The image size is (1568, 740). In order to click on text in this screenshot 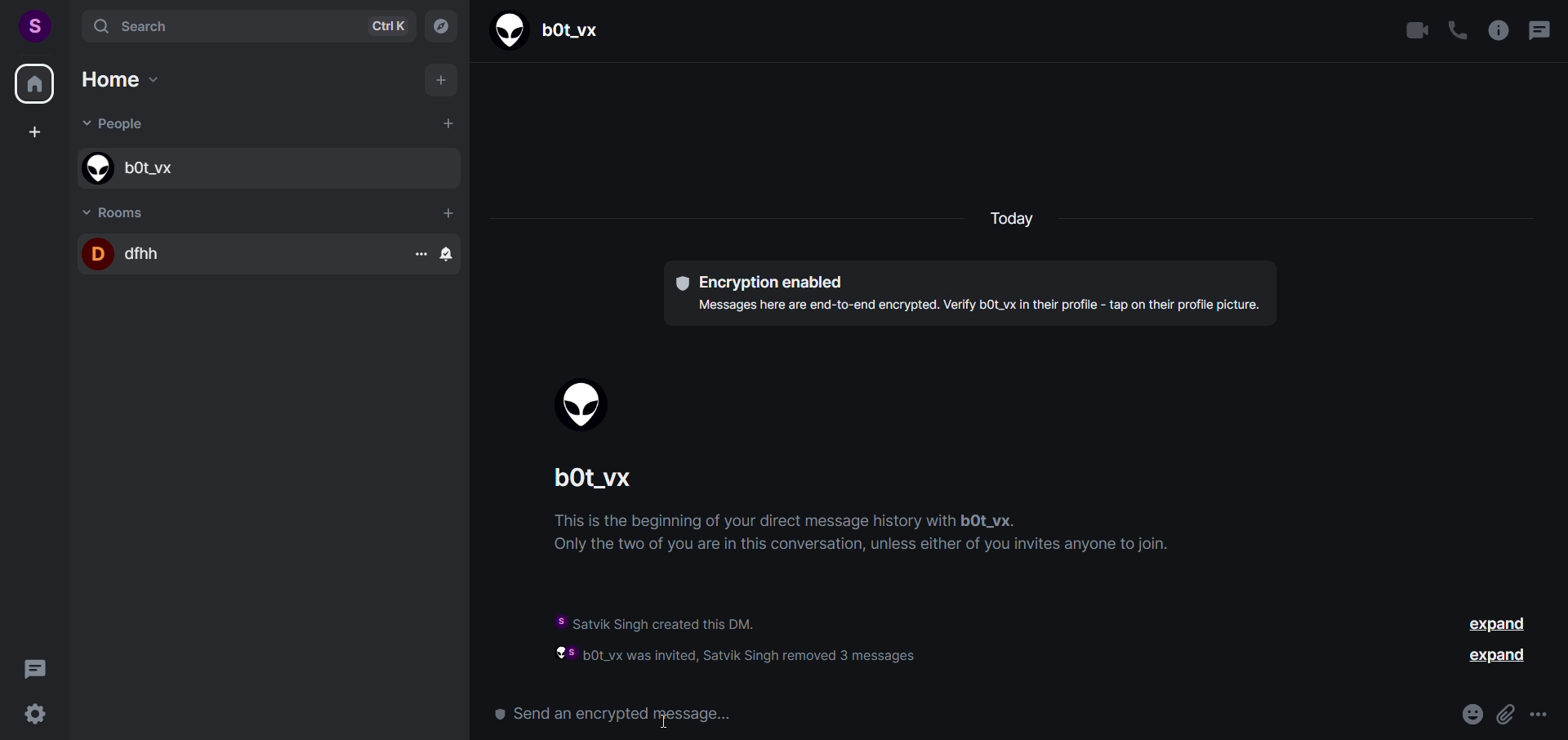, I will do `click(974, 293)`.